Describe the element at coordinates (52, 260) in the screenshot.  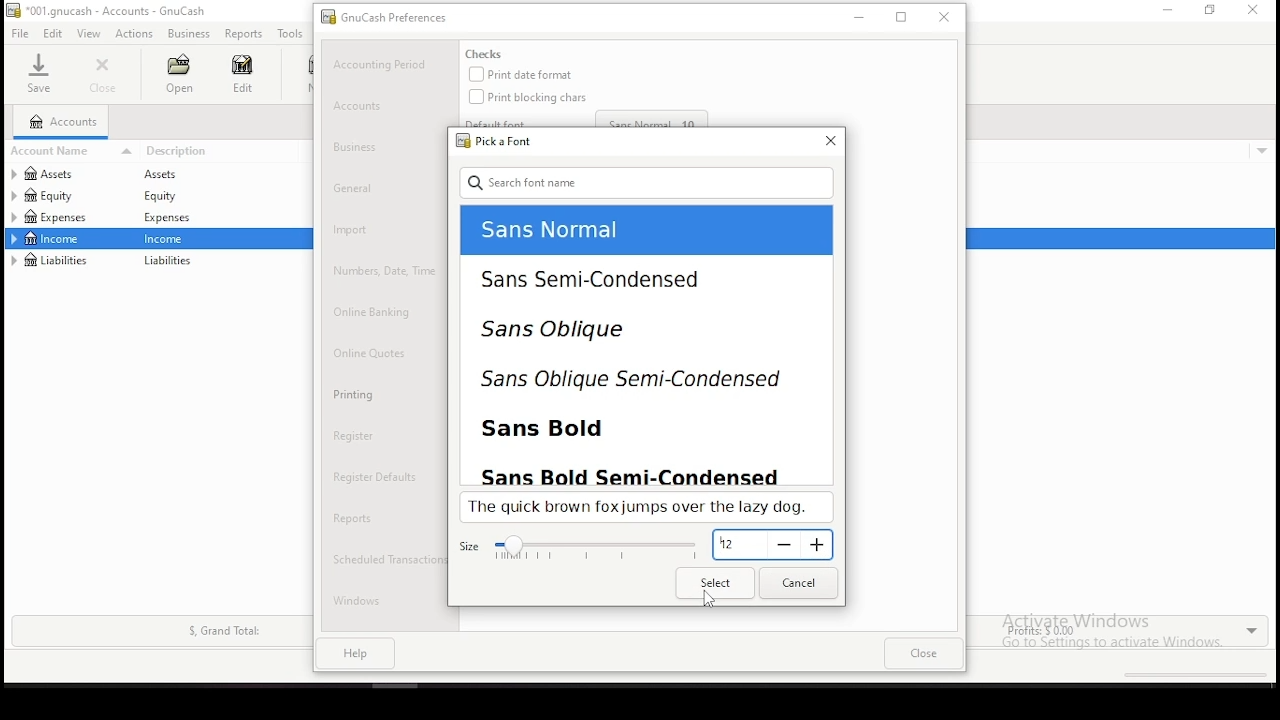
I see `liabilities` at that location.